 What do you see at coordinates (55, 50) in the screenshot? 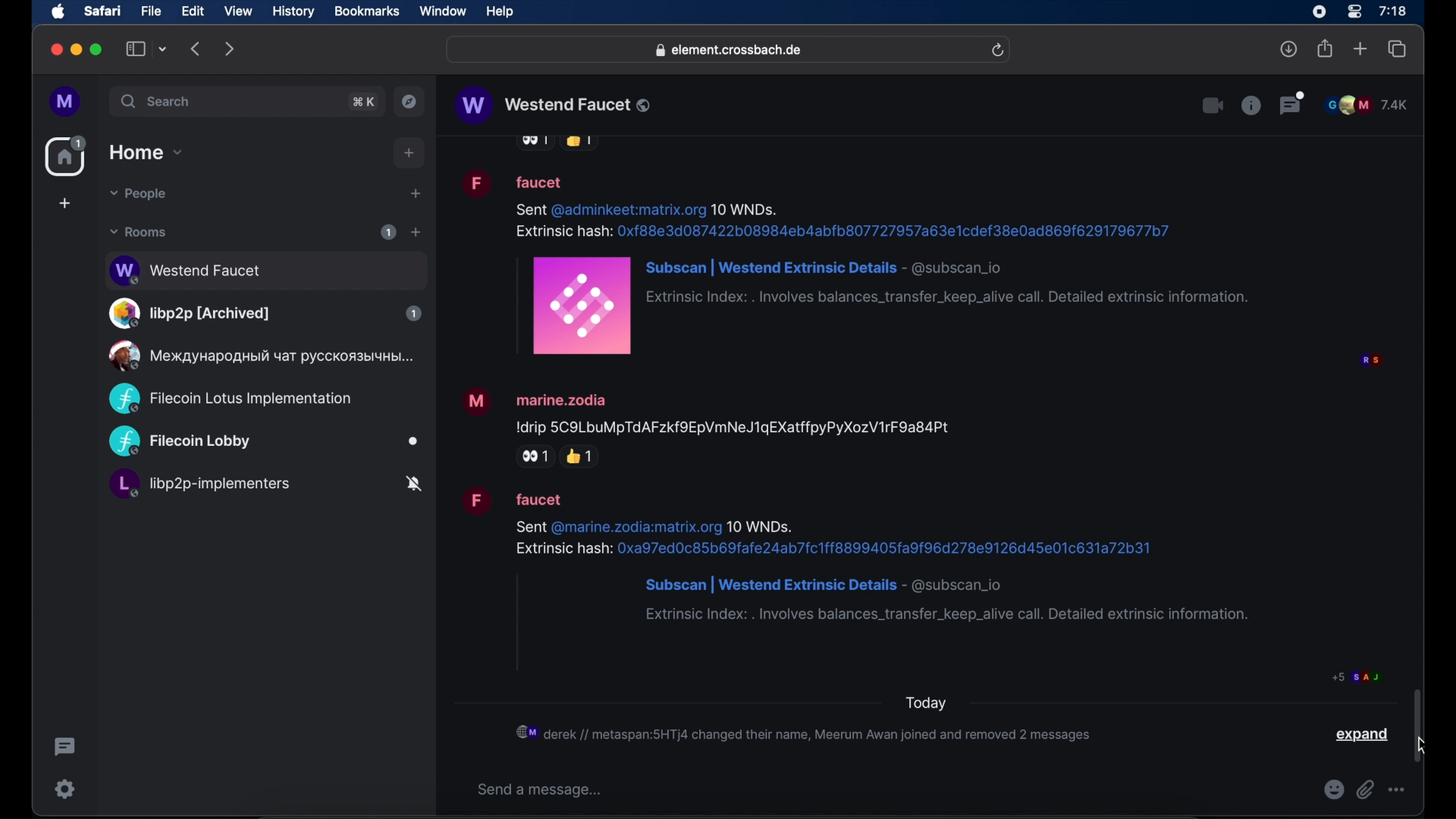
I see `close` at bounding box center [55, 50].